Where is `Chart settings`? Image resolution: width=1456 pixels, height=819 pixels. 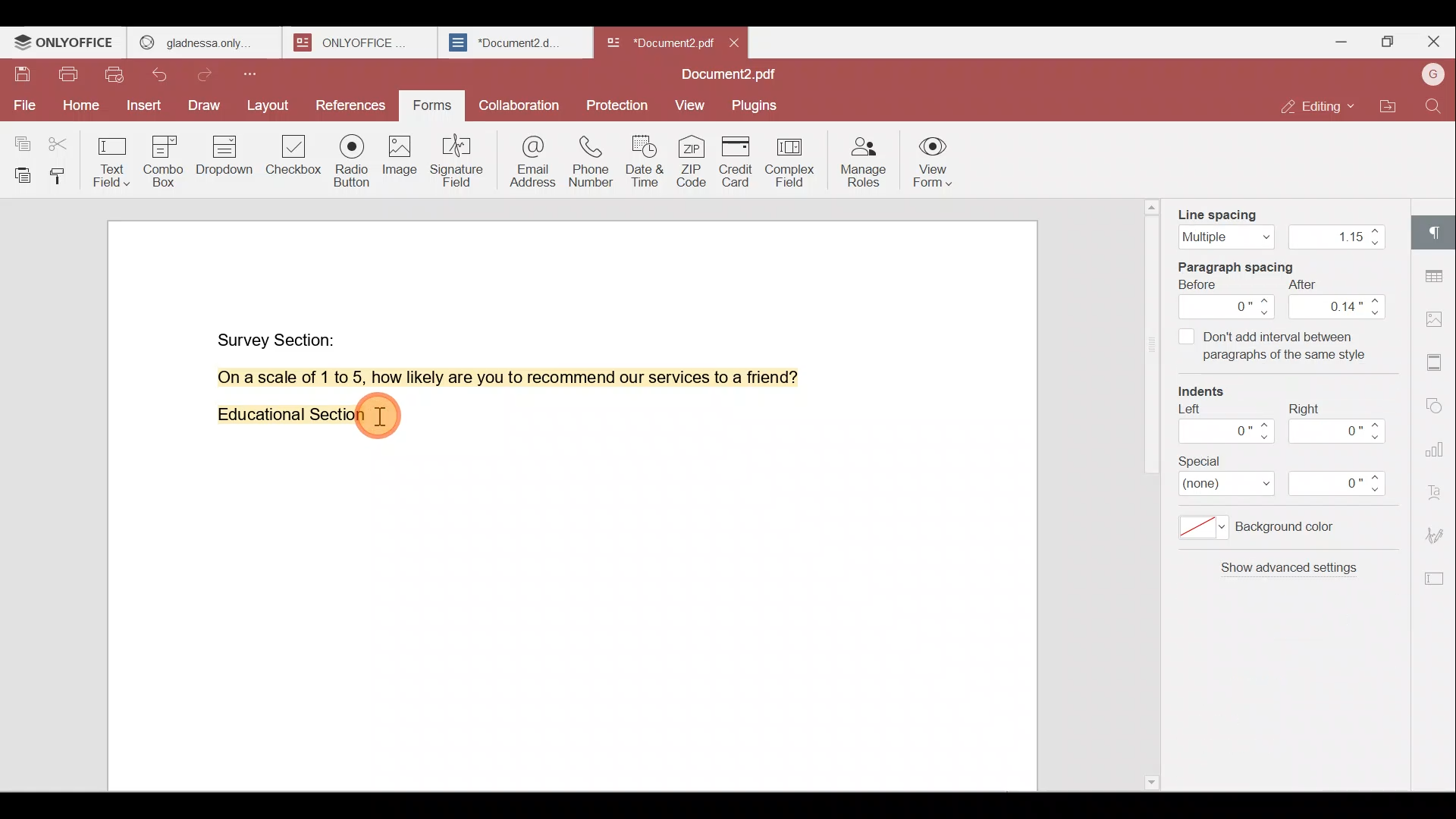
Chart settings is located at coordinates (1439, 441).